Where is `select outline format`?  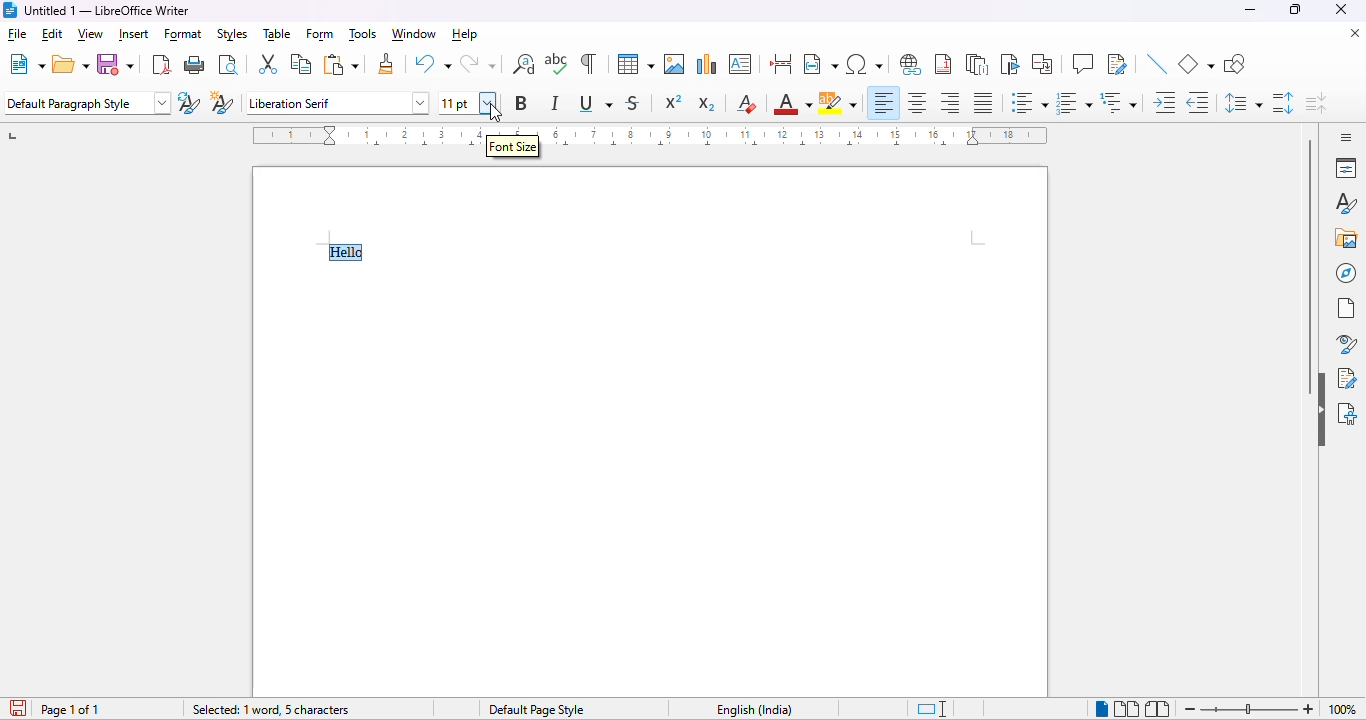
select outline format is located at coordinates (1119, 102).